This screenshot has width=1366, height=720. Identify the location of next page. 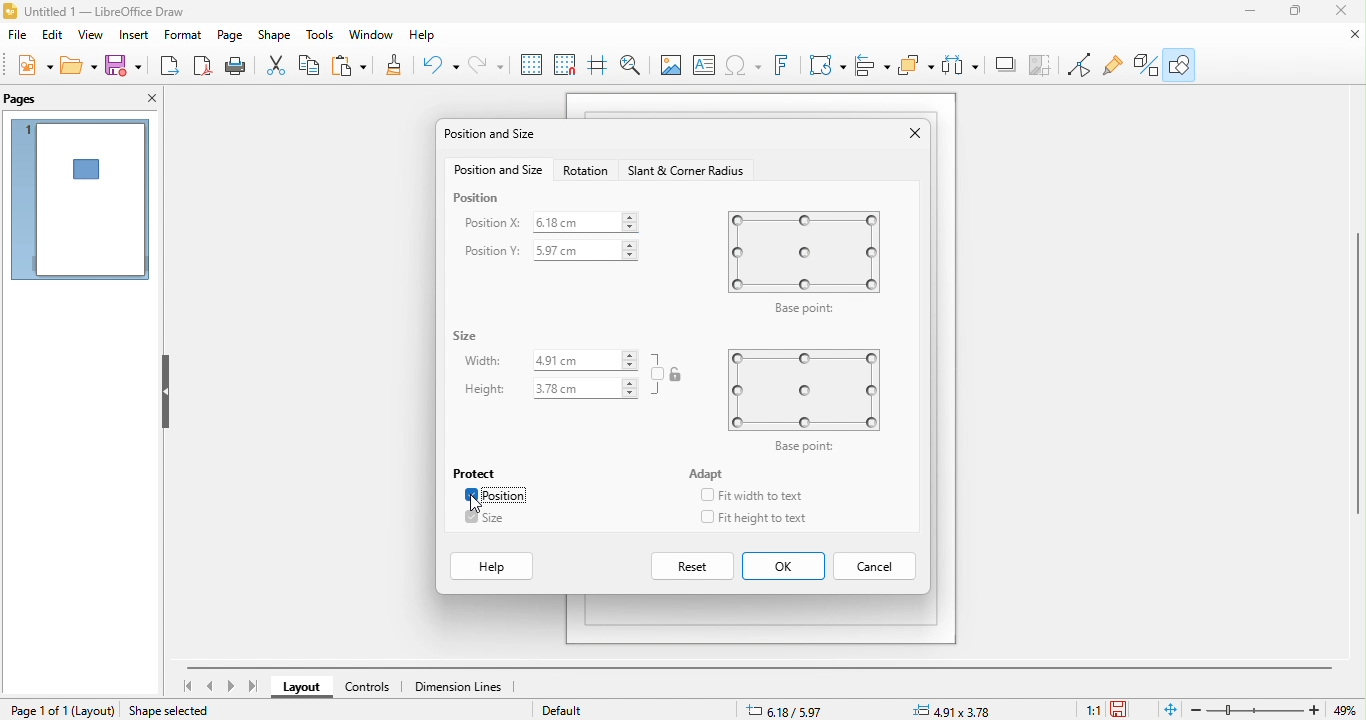
(231, 686).